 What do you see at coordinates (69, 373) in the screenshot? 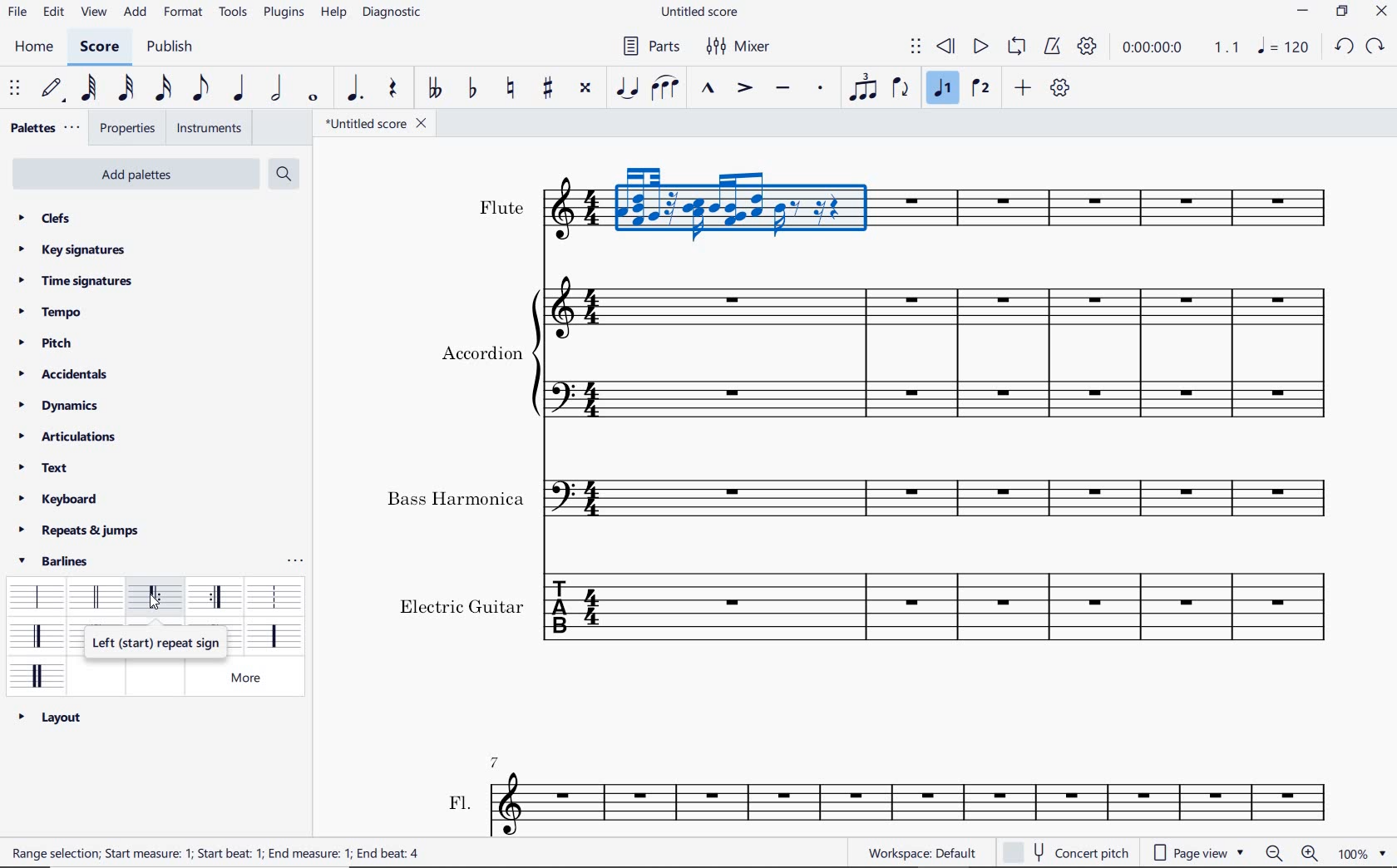
I see `accidentals` at bounding box center [69, 373].